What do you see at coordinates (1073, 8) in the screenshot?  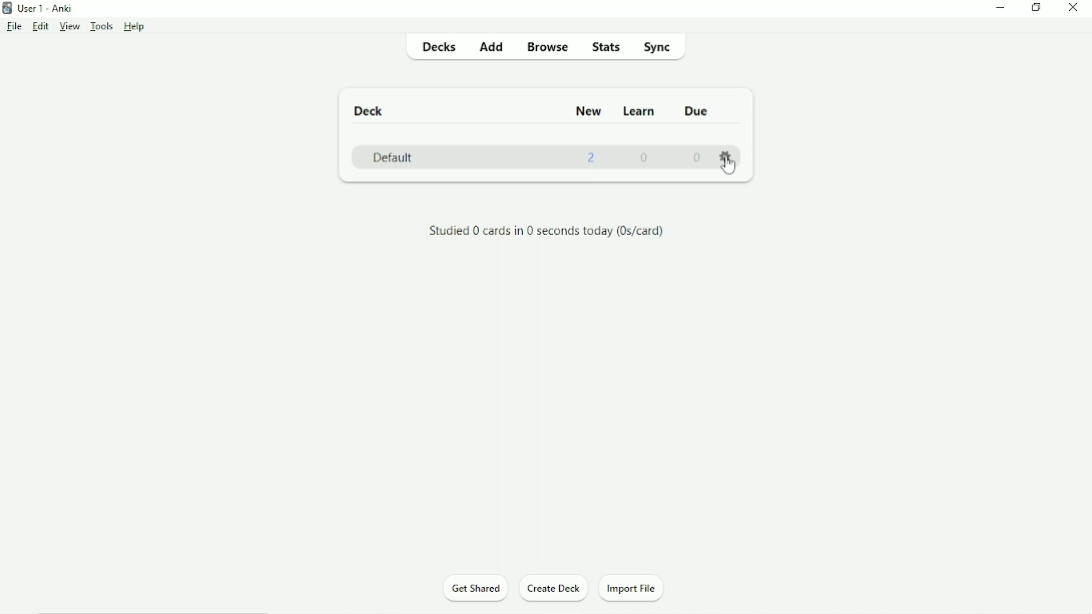 I see `Close` at bounding box center [1073, 8].